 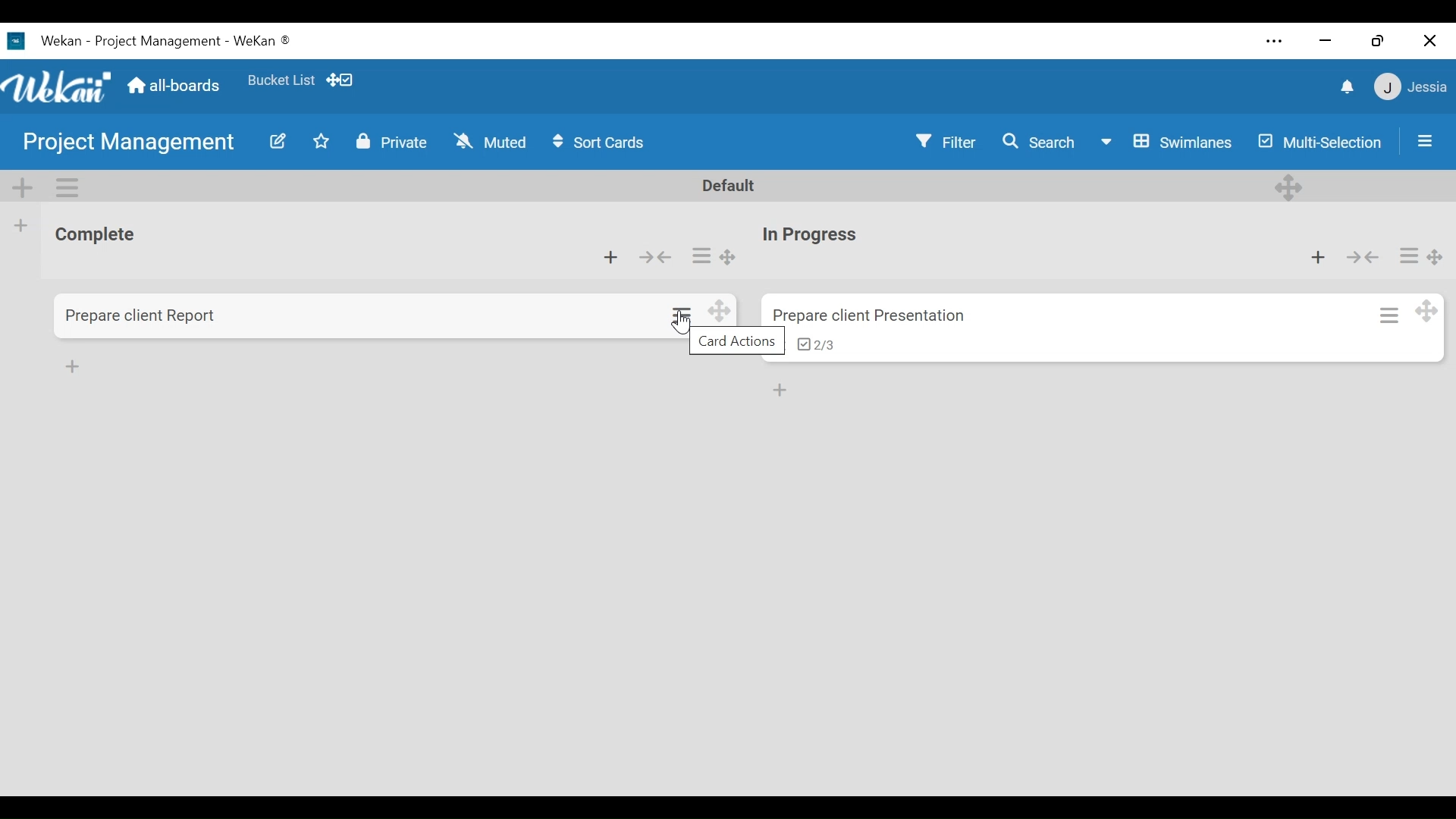 What do you see at coordinates (20, 226) in the screenshot?
I see `Add  list` at bounding box center [20, 226].